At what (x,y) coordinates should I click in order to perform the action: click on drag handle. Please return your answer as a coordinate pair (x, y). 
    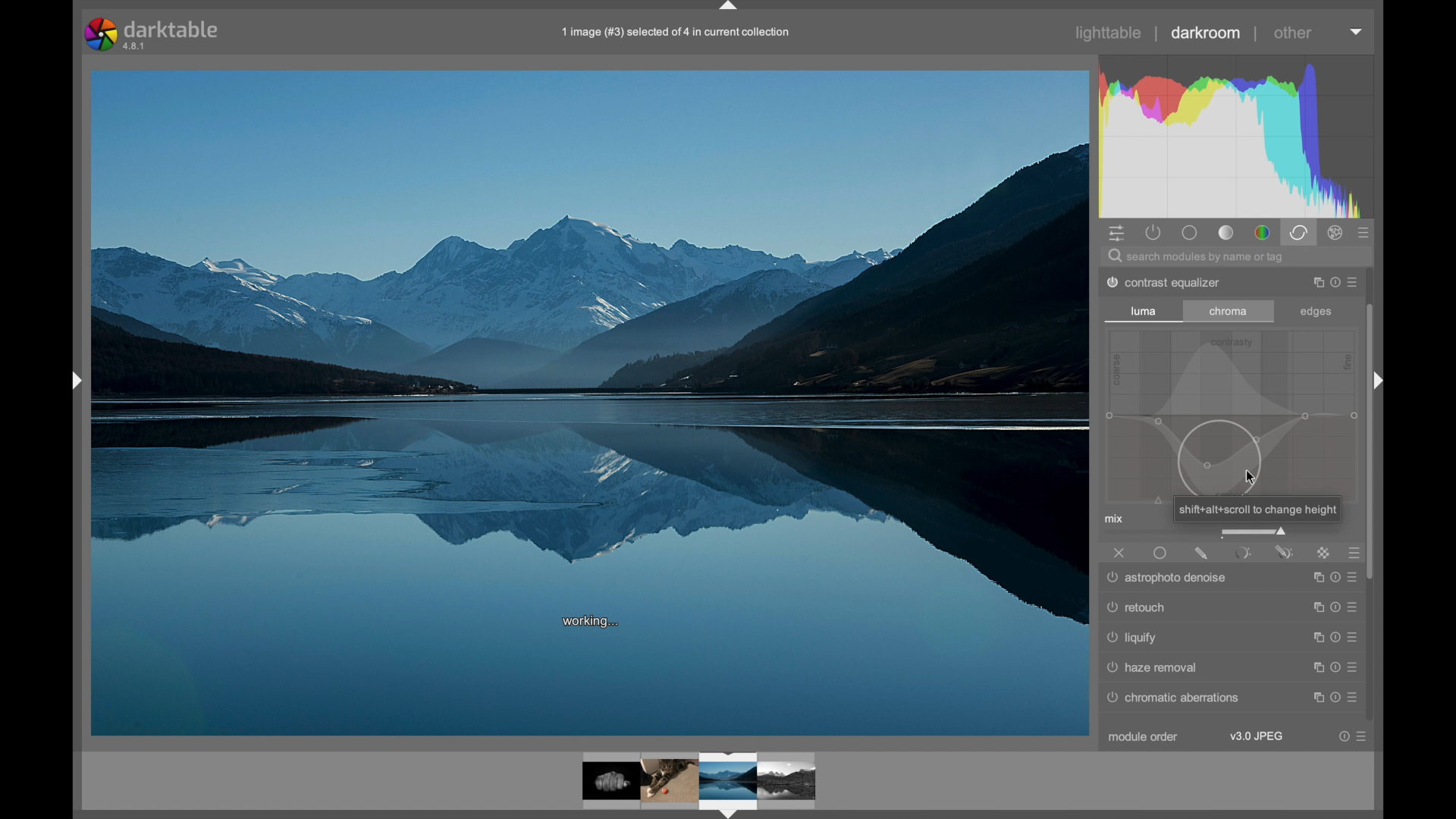
    Looking at the image, I should click on (74, 382).